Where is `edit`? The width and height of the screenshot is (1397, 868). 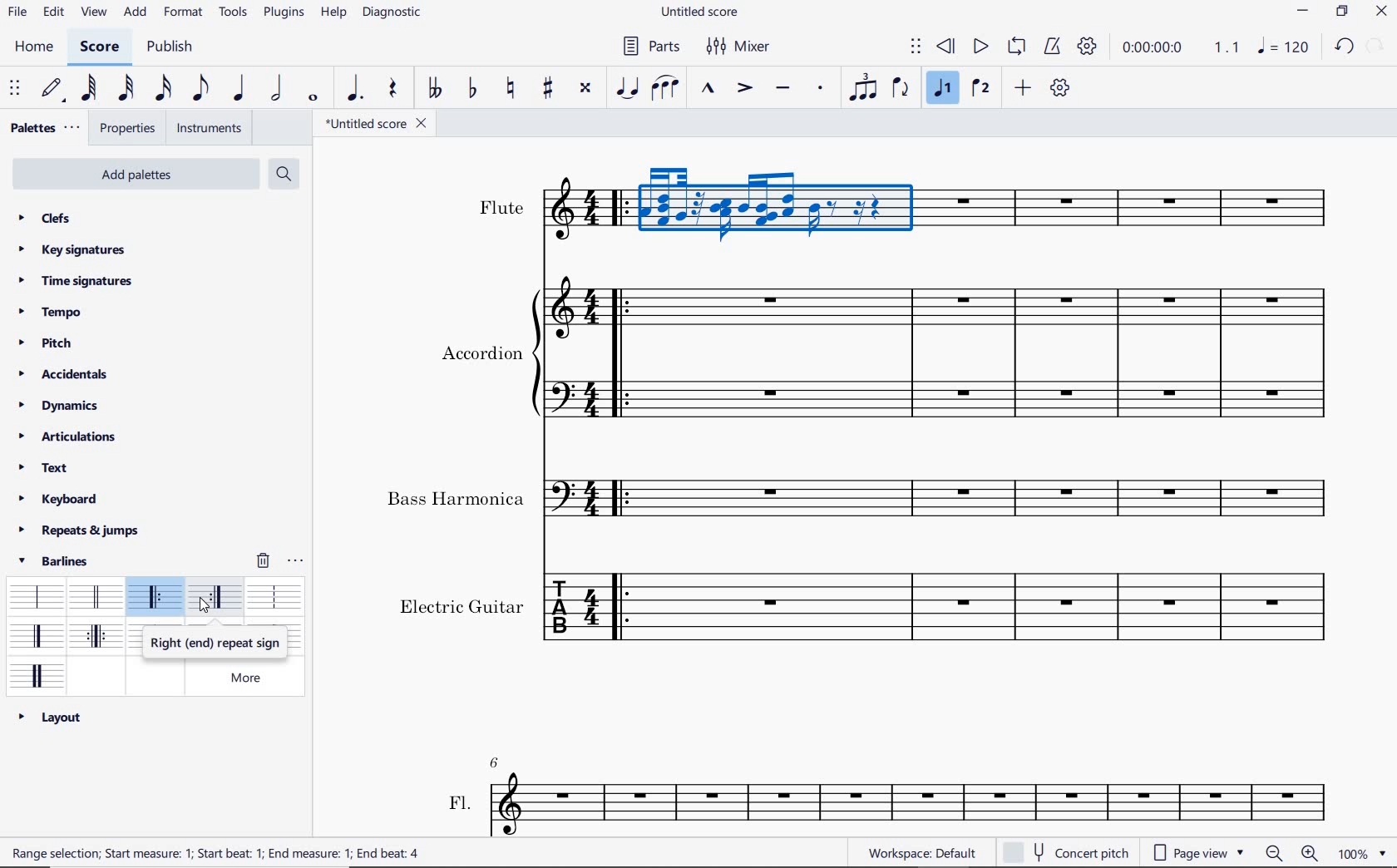 edit is located at coordinates (52, 14).